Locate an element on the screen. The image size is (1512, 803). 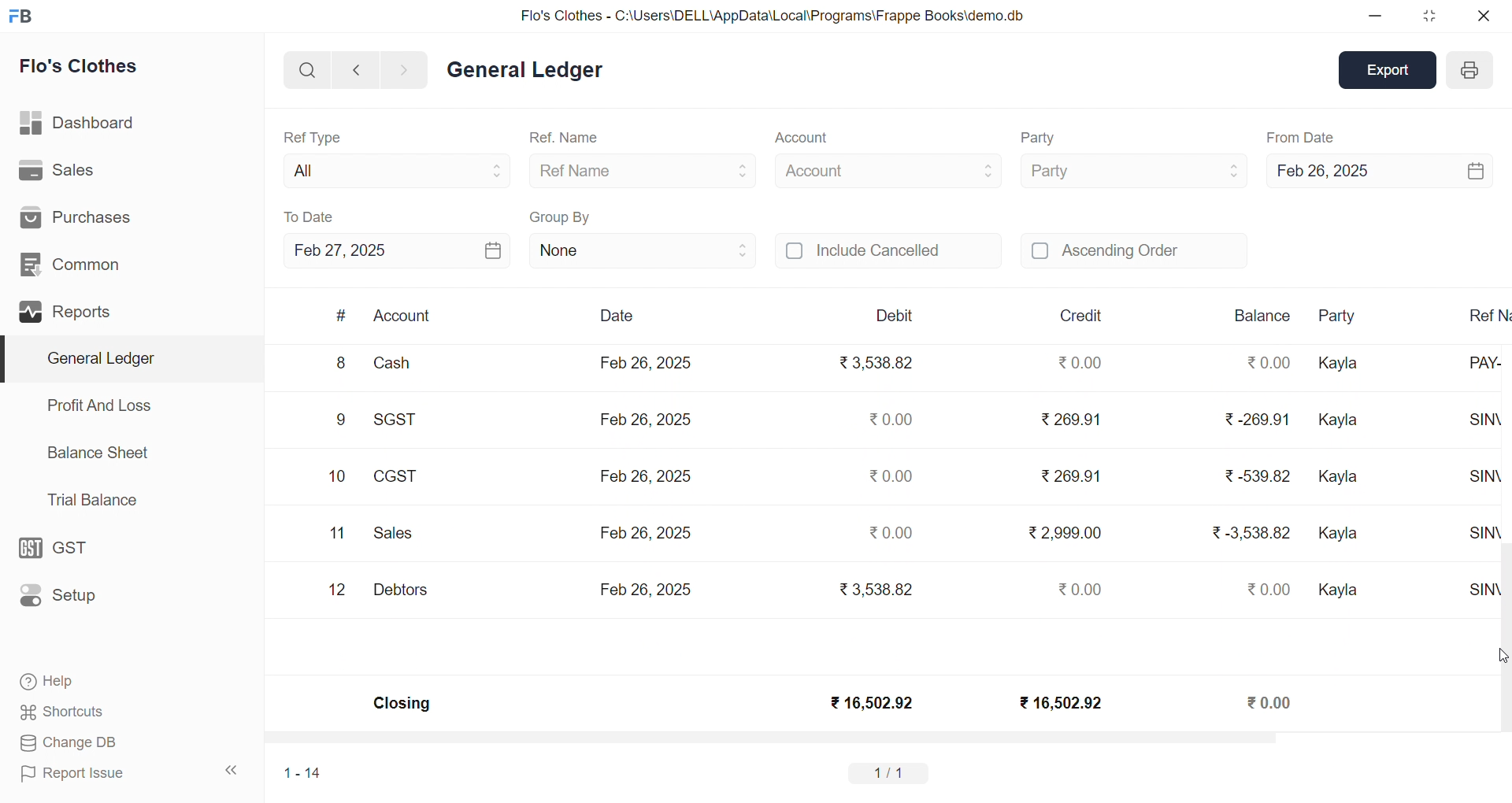
Closing is located at coordinates (403, 705).